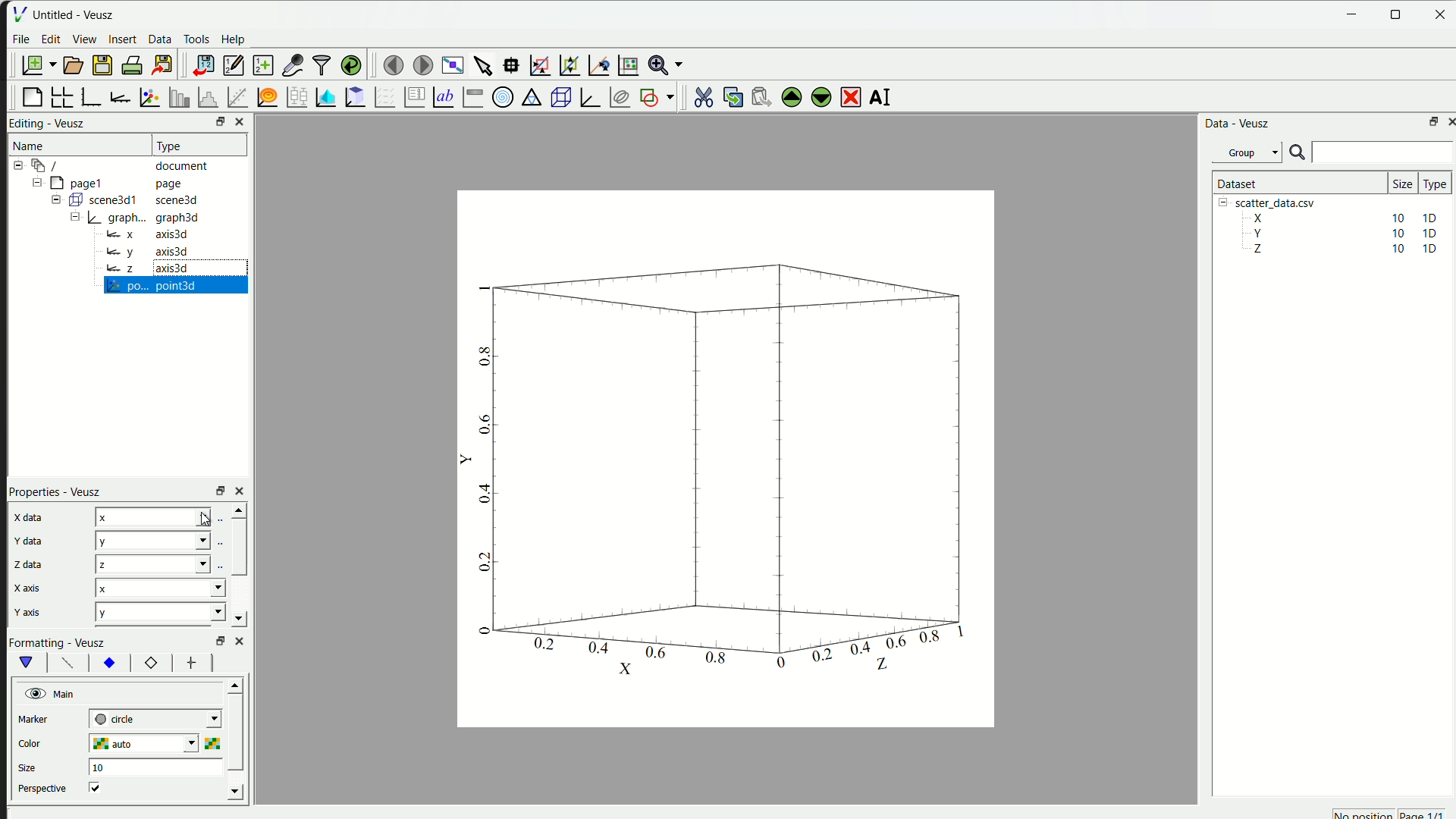 This screenshot has height=819, width=1456. What do you see at coordinates (159, 745) in the screenshot?
I see `auto` at bounding box center [159, 745].